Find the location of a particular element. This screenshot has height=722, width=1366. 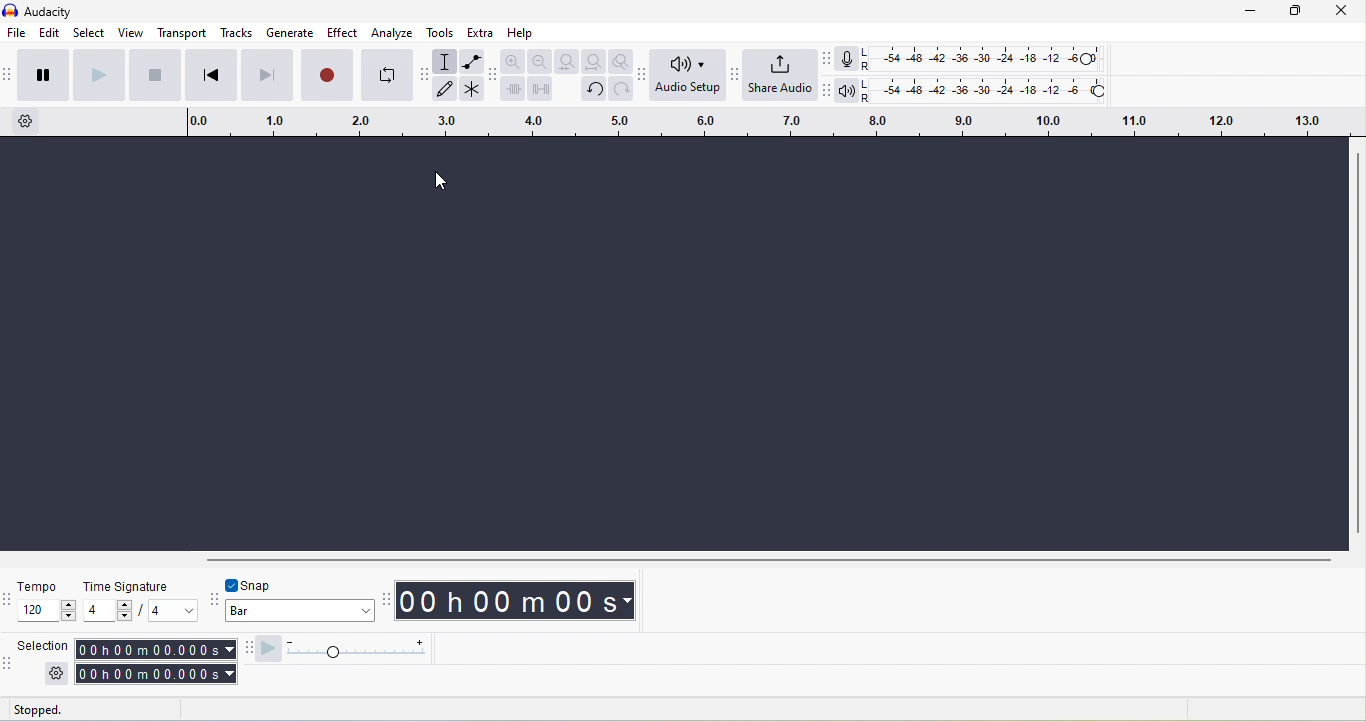

audacity time toolbar is located at coordinates (391, 602).